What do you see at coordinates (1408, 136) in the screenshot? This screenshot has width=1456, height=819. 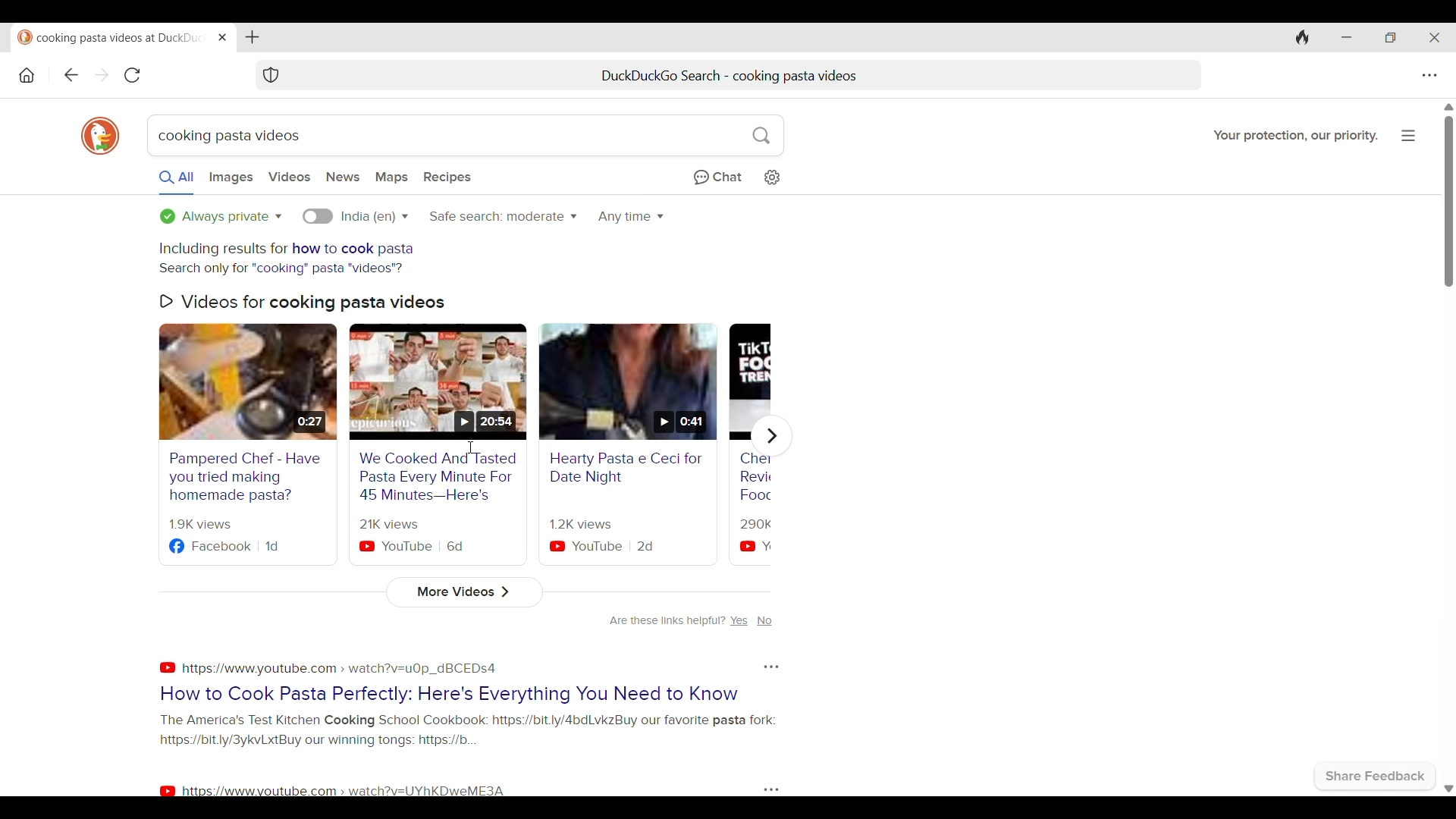 I see `Page options` at bounding box center [1408, 136].